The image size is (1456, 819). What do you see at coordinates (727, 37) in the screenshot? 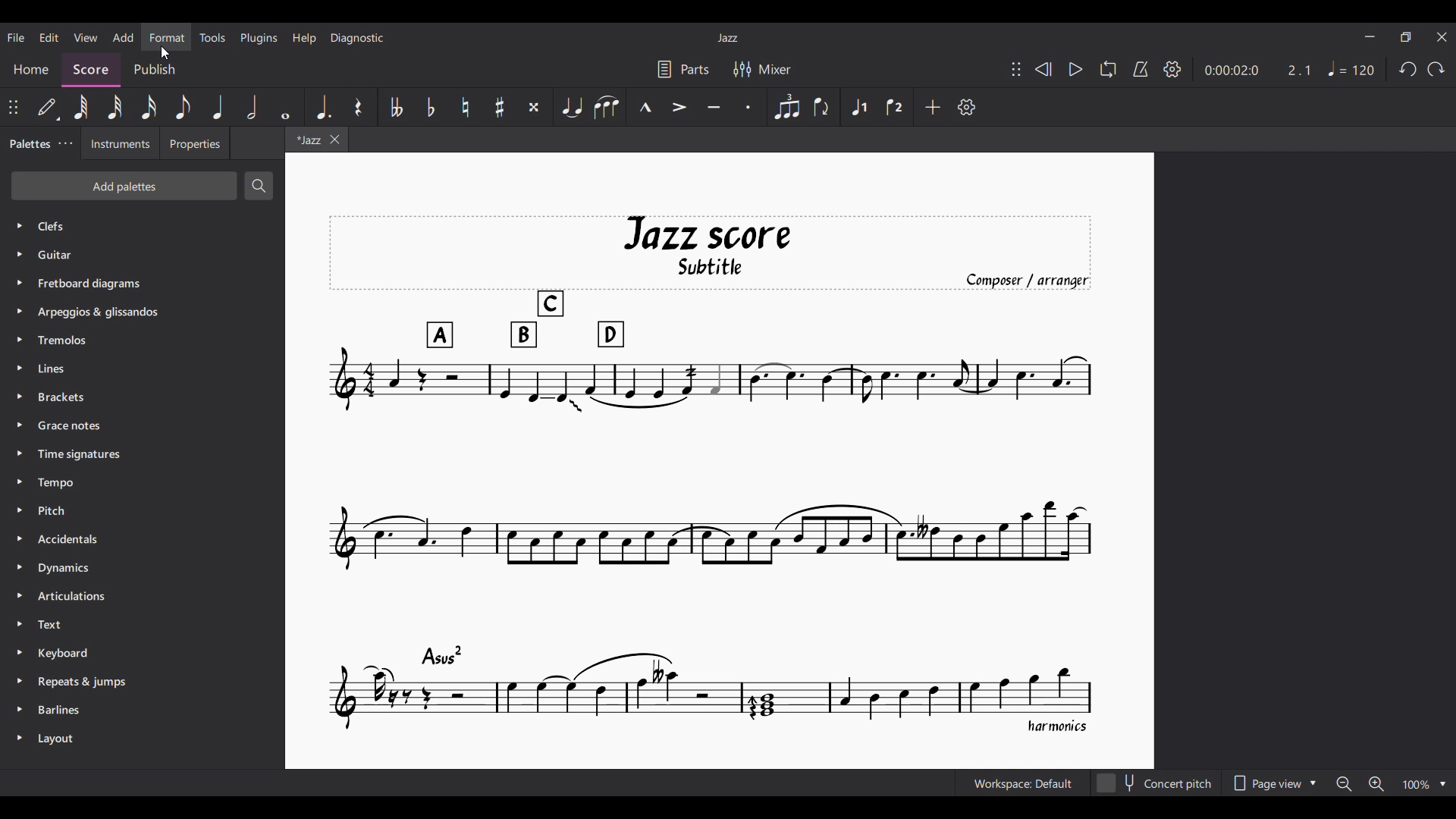
I see `Current score title` at bounding box center [727, 37].